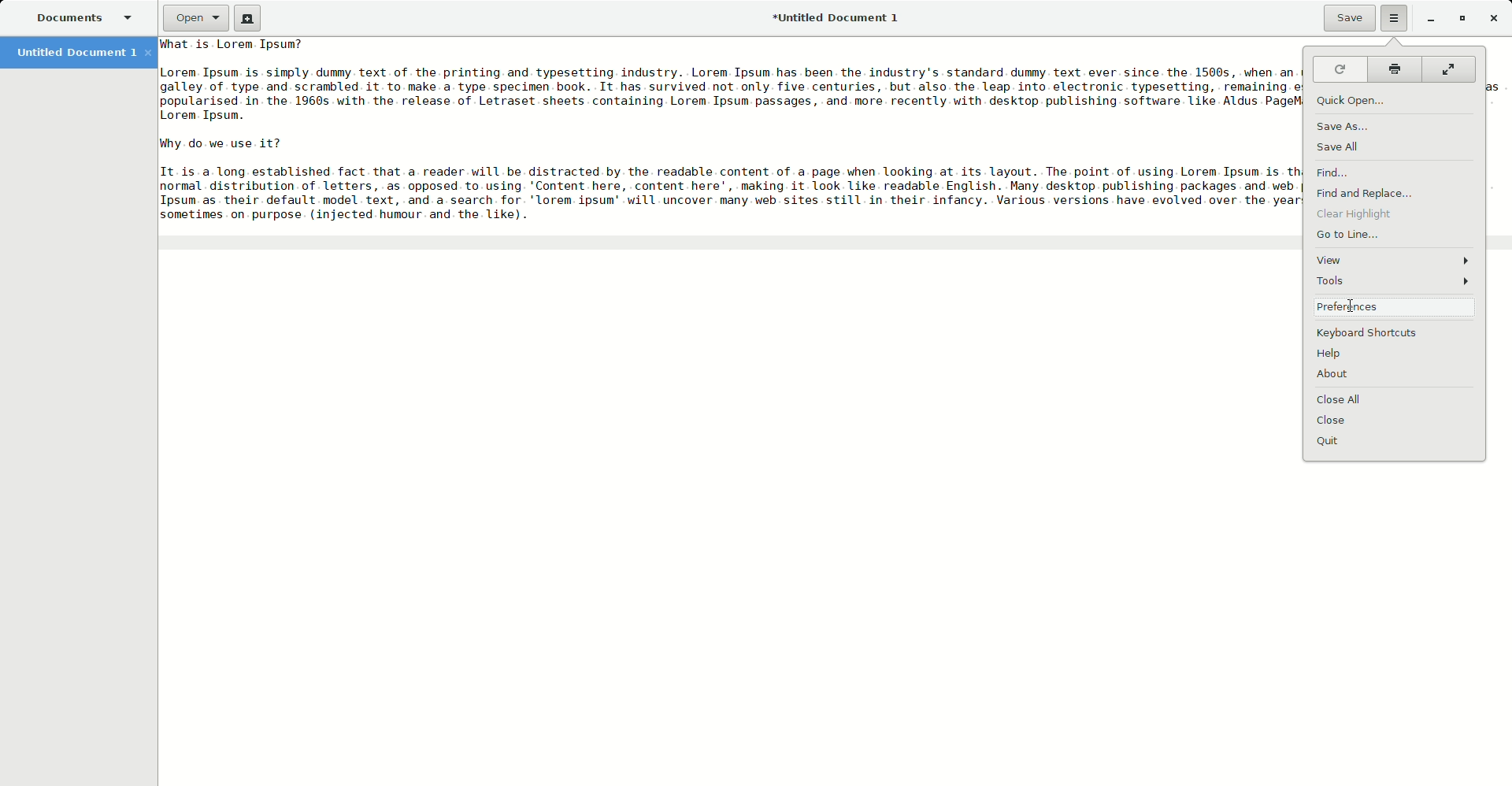 This screenshot has height=786, width=1512. Describe the element at coordinates (82, 54) in the screenshot. I see `Untitled Document 1` at that location.